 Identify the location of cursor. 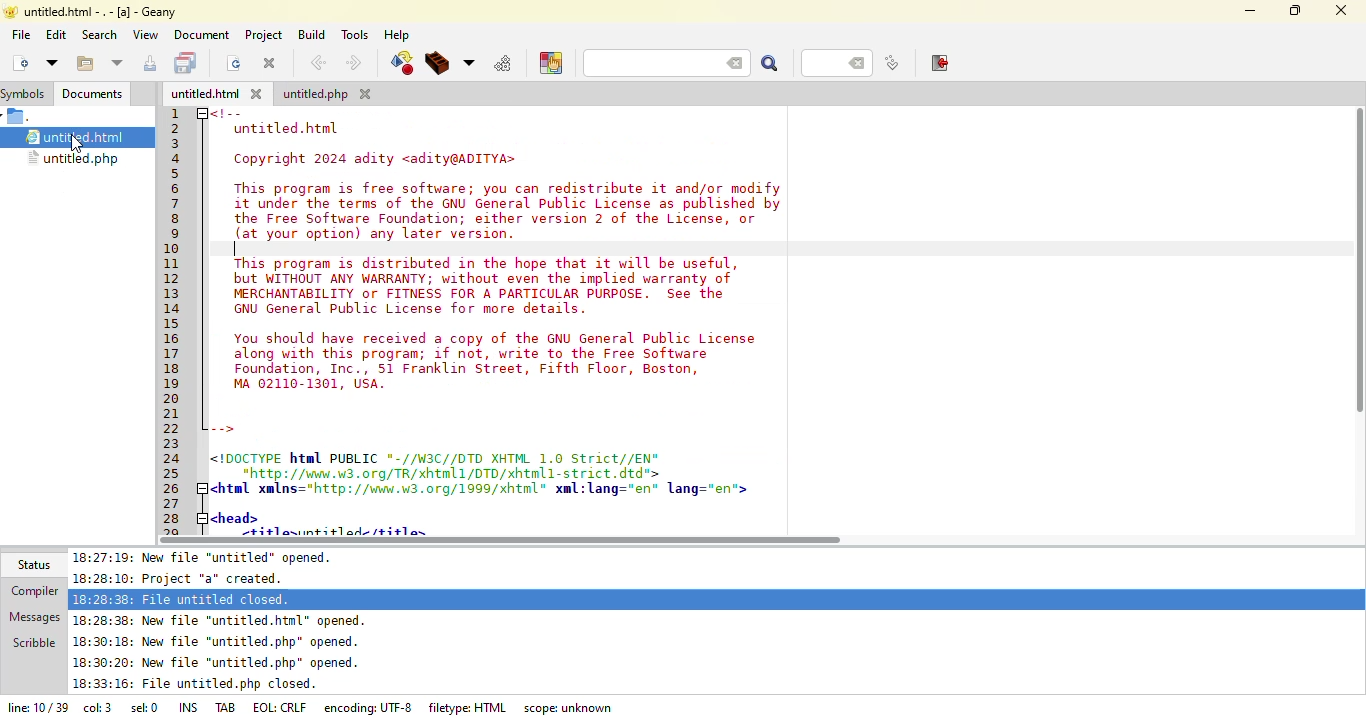
(85, 147).